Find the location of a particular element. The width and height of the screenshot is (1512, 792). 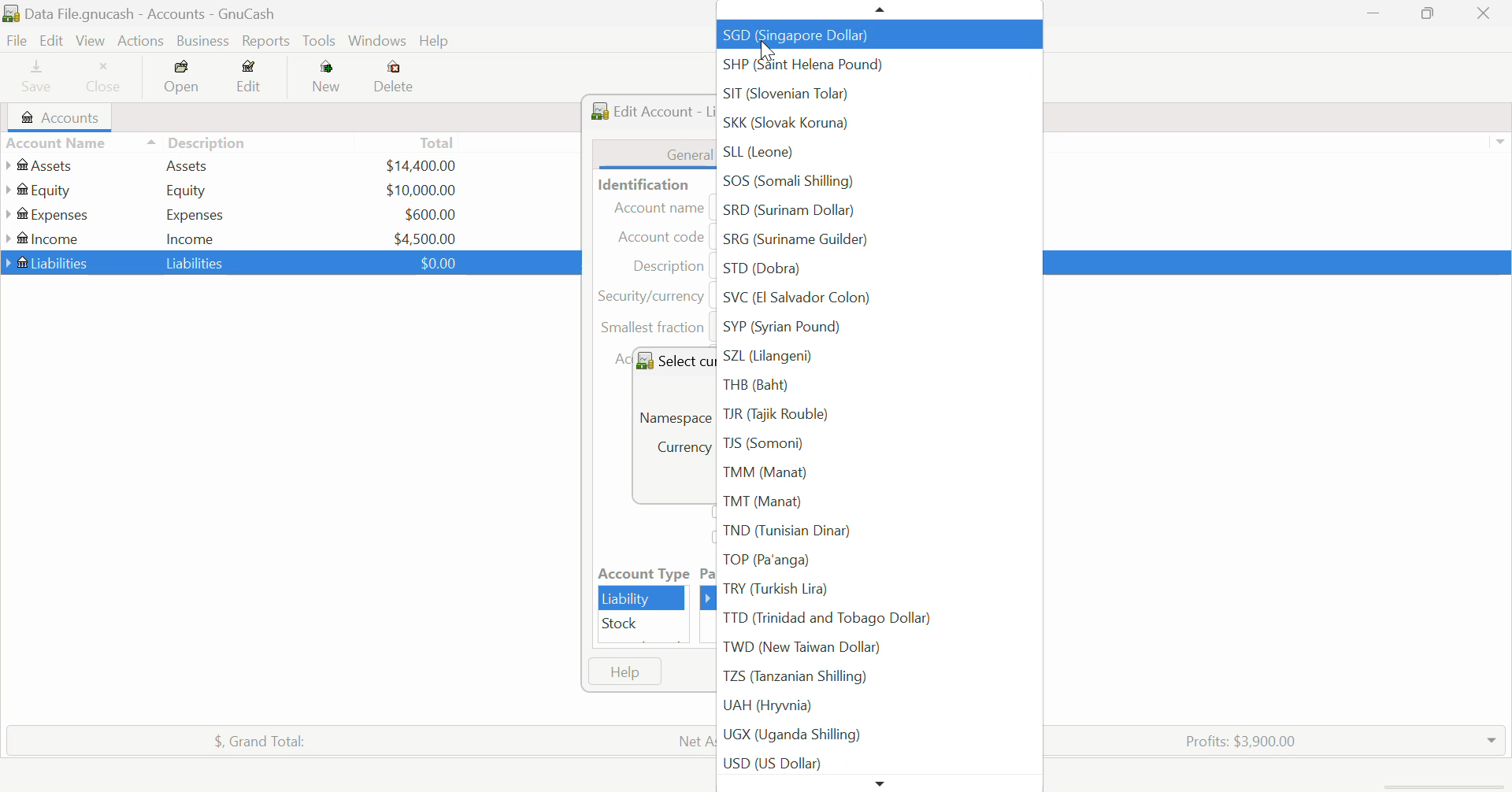

SYP is located at coordinates (876, 328).